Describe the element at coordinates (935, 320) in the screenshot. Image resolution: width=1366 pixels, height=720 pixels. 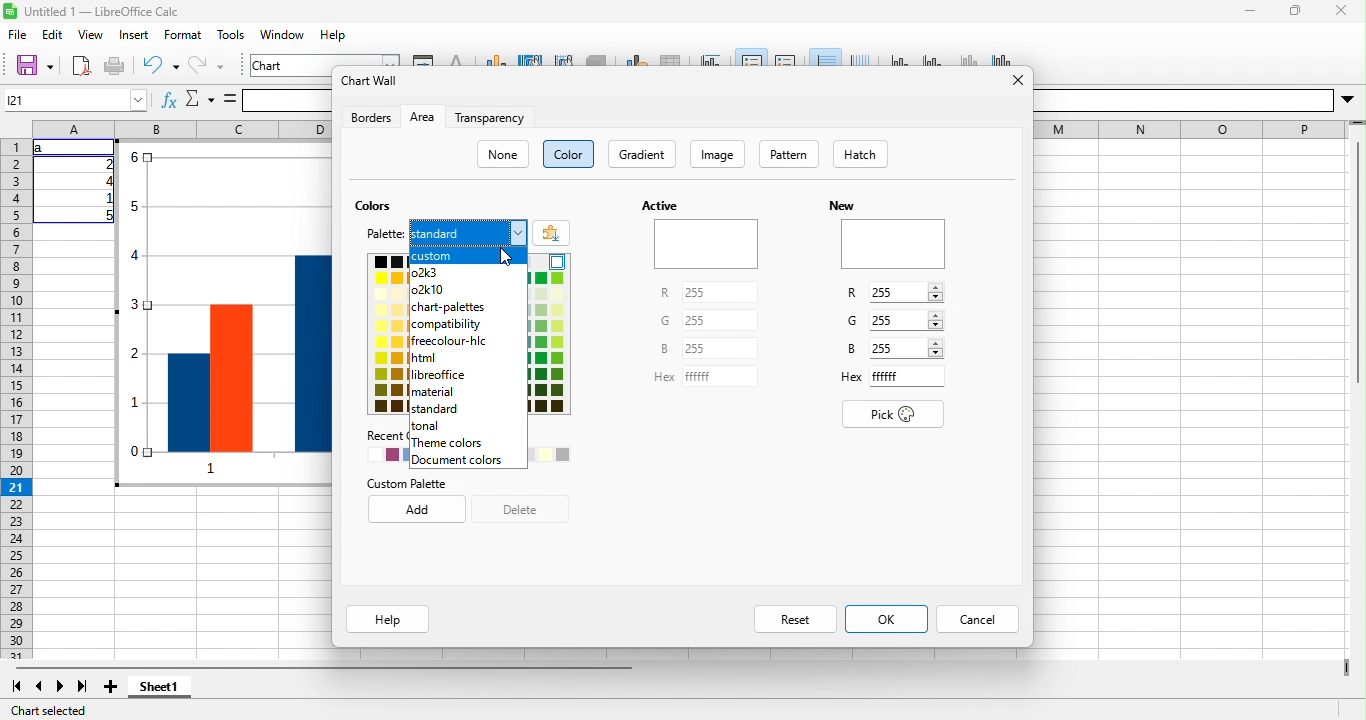
I see `Increase/Decrease G value` at that location.